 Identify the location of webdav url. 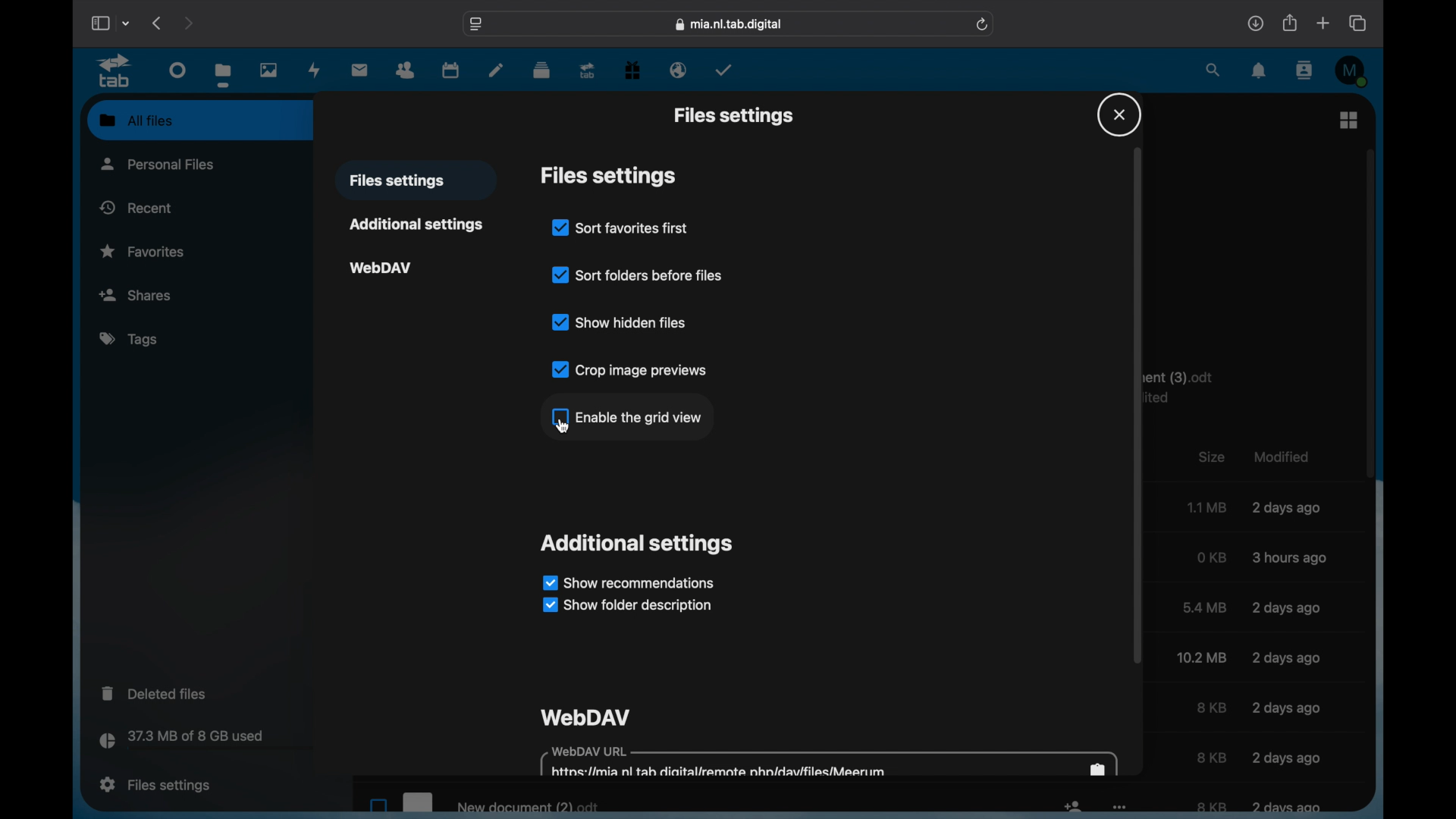
(830, 762).